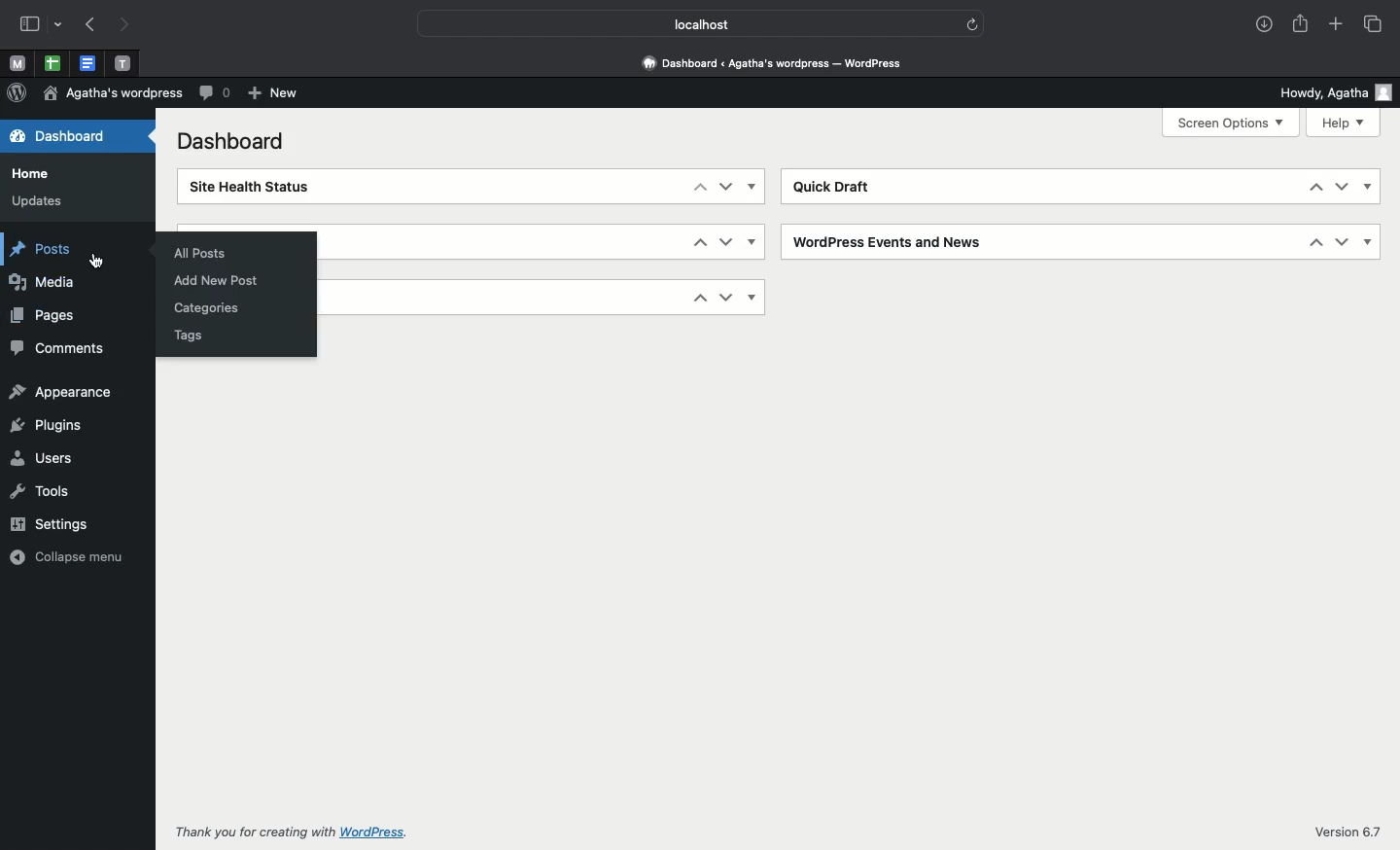 The height and width of the screenshot is (850, 1400). I want to click on Settings, so click(50, 523).